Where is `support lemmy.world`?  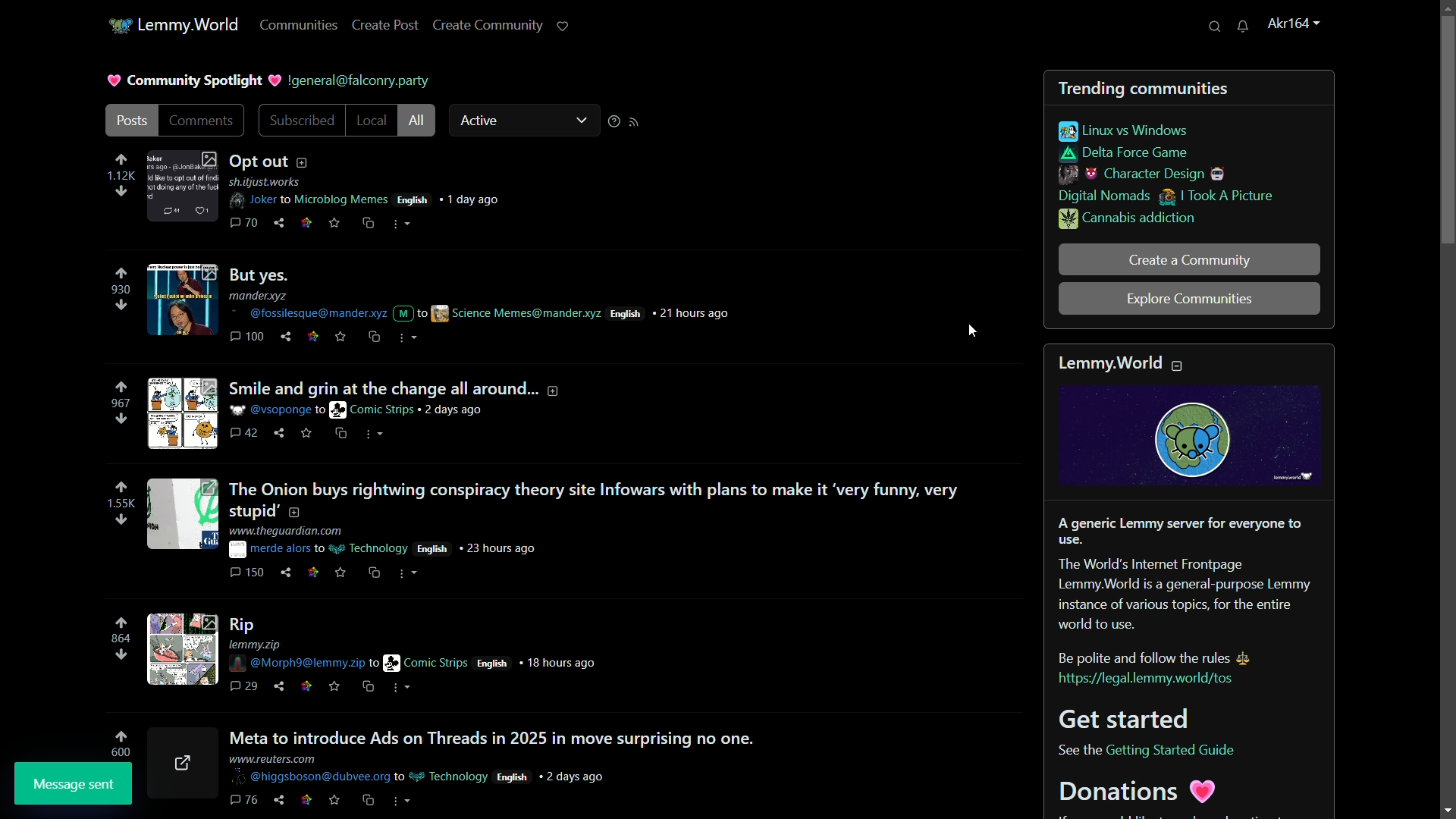
support lemmy.world is located at coordinates (563, 27).